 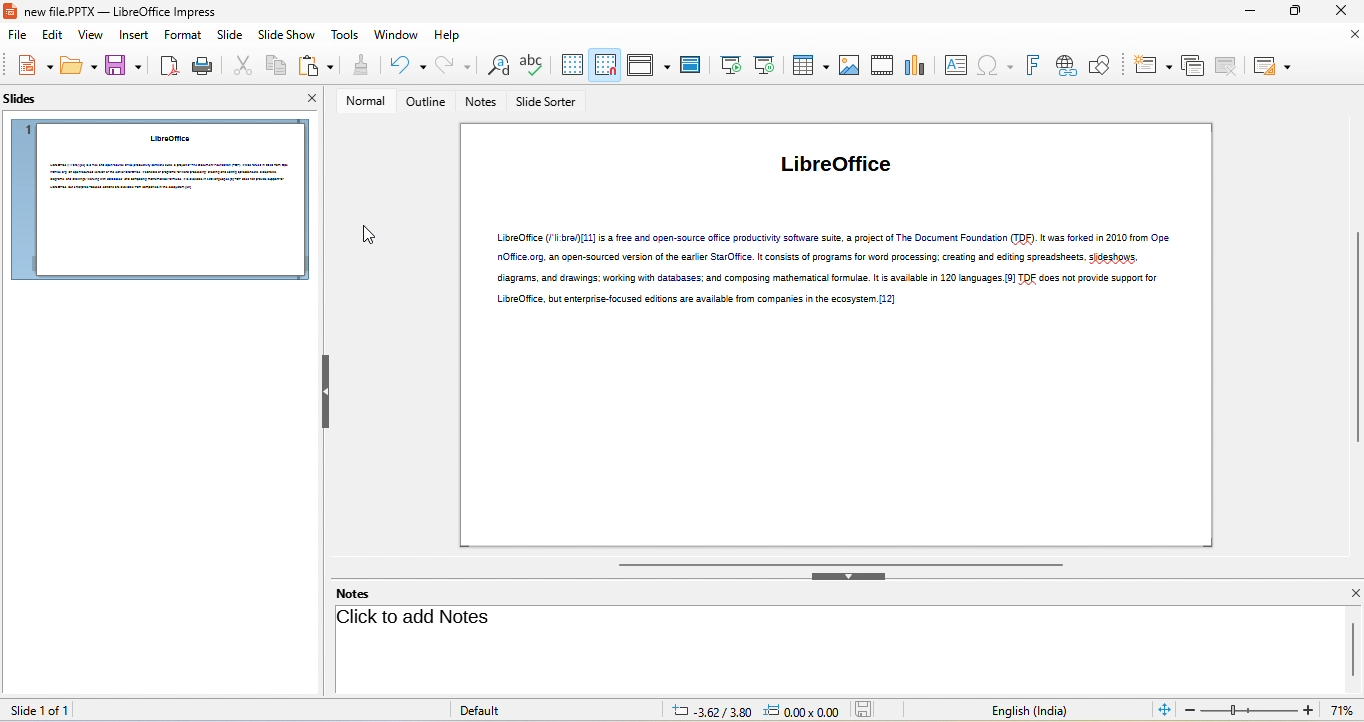 What do you see at coordinates (499, 68) in the screenshot?
I see `find and replace` at bounding box center [499, 68].